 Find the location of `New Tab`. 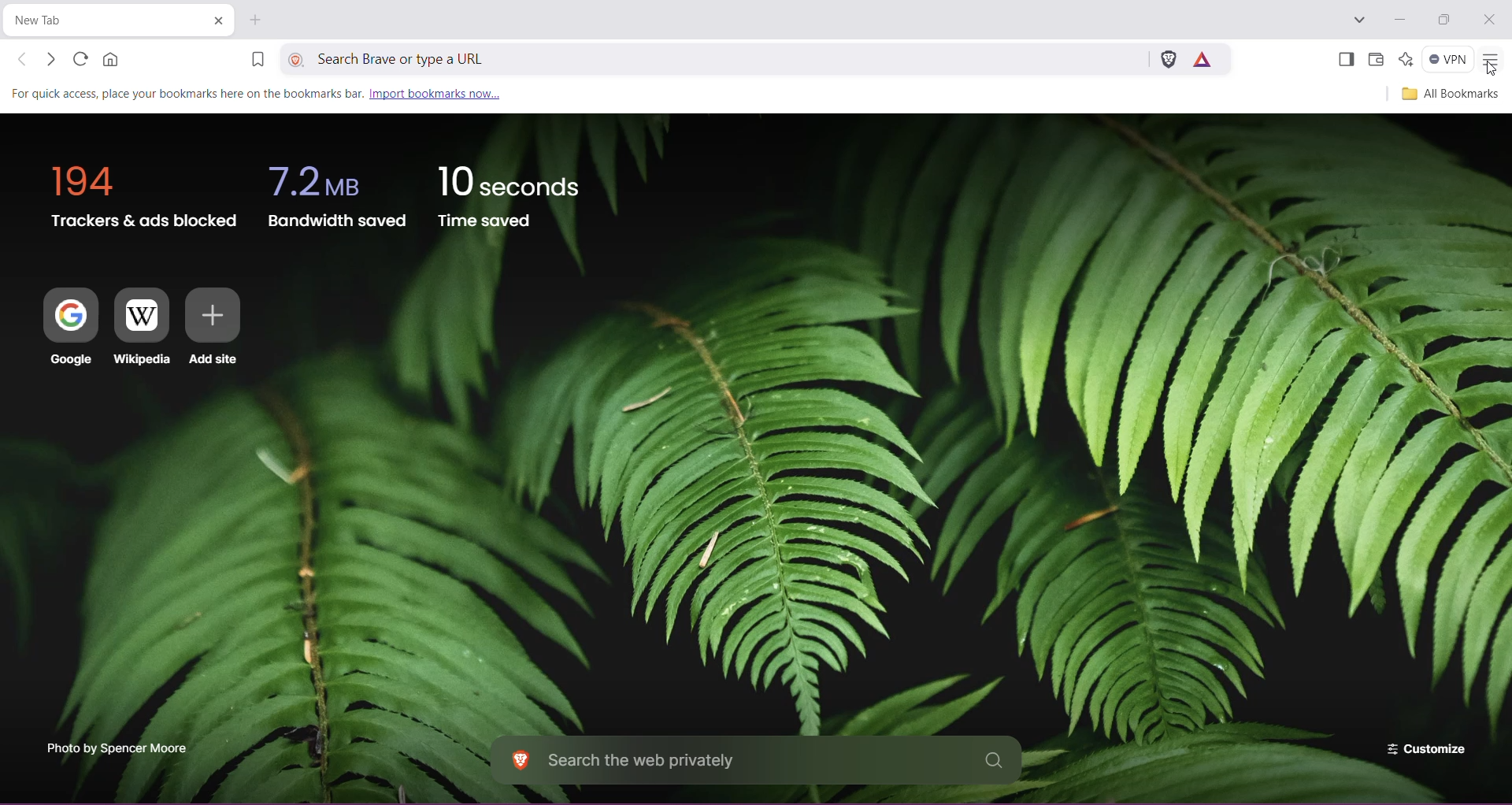

New Tab is located at coordinates (99, 22).